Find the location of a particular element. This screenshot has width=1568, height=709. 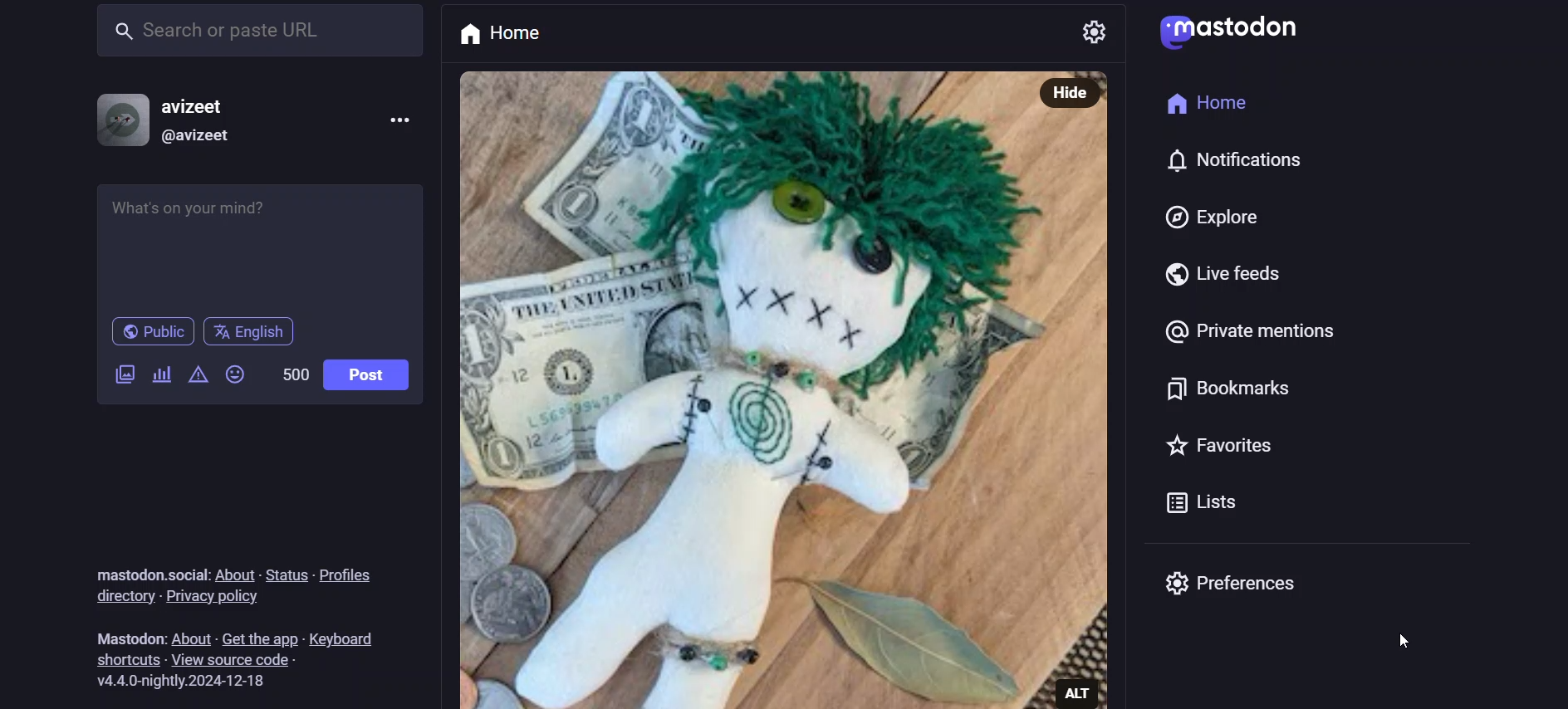

Search or paste URL is located at coordinates (262, 29).